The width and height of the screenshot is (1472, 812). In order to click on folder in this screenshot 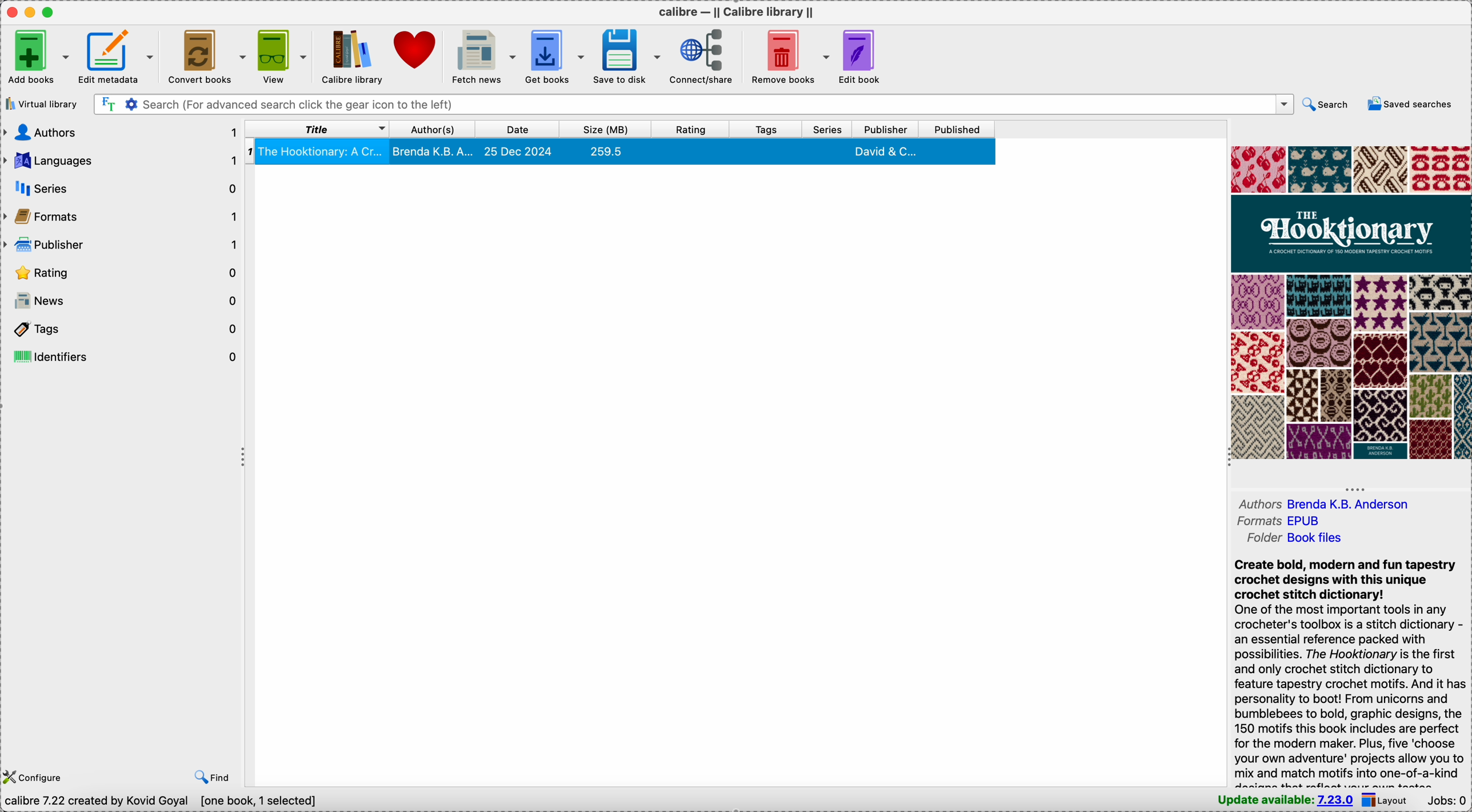, I will do `click(1298, 539)`.